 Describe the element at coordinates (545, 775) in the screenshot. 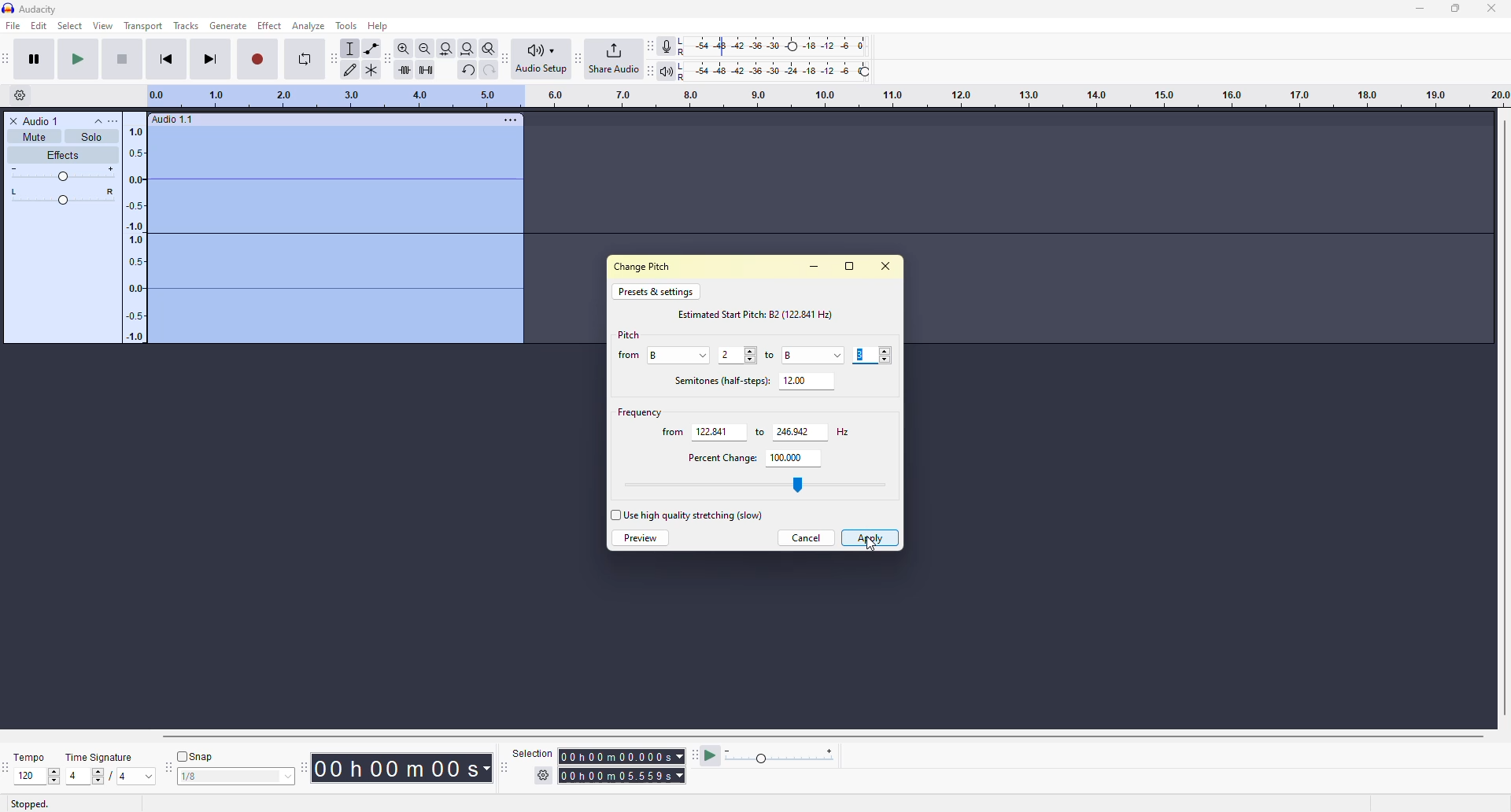

I see `settings` at that location.